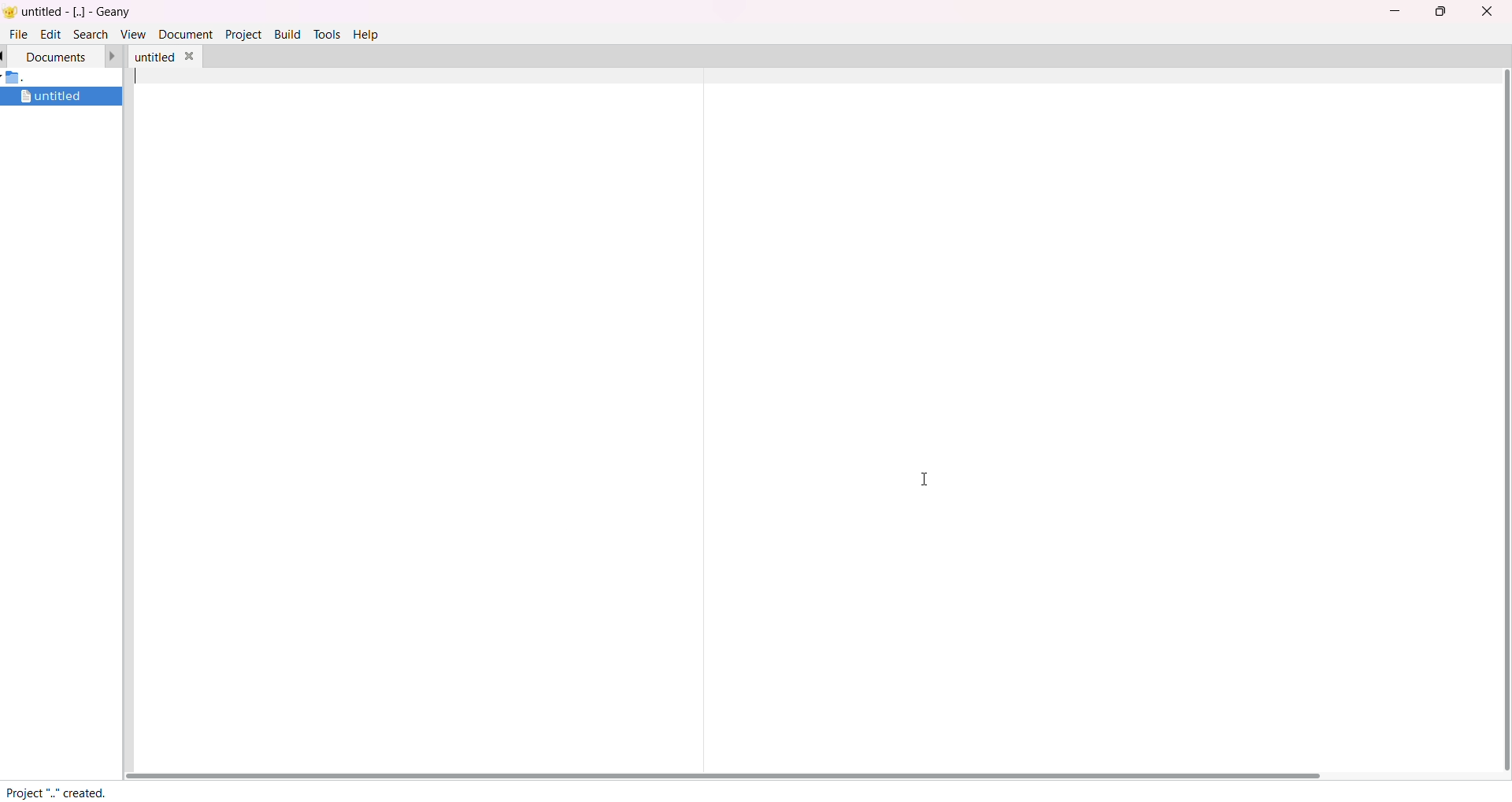 The height and width of the screenshot is (802, 1512). I want to click on Project ".." created., so click(61, 789).